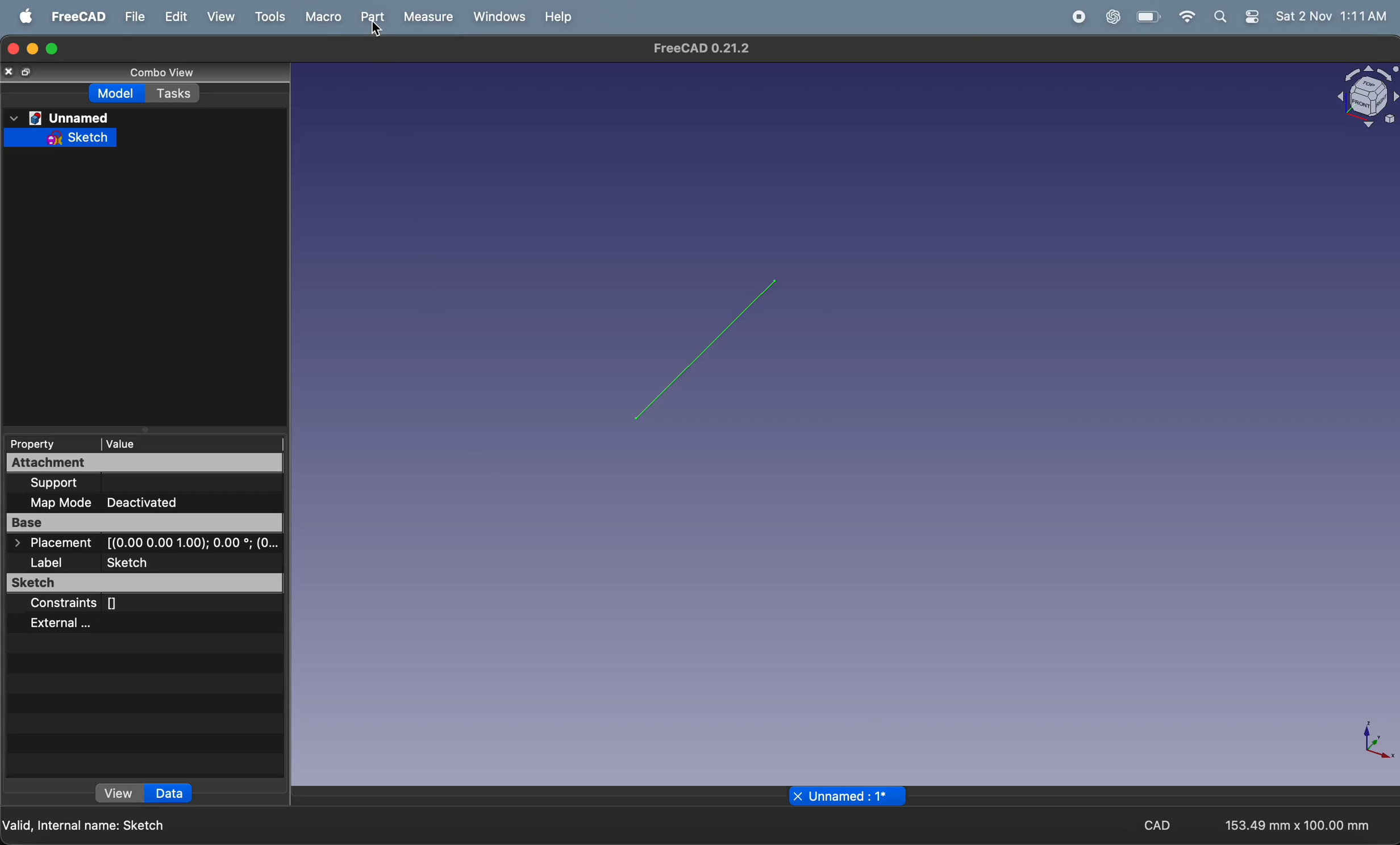 The image size is (1400, 845). Describe the element at coordinates (1149, 17) in the screenshot. I see `battery` at that location.